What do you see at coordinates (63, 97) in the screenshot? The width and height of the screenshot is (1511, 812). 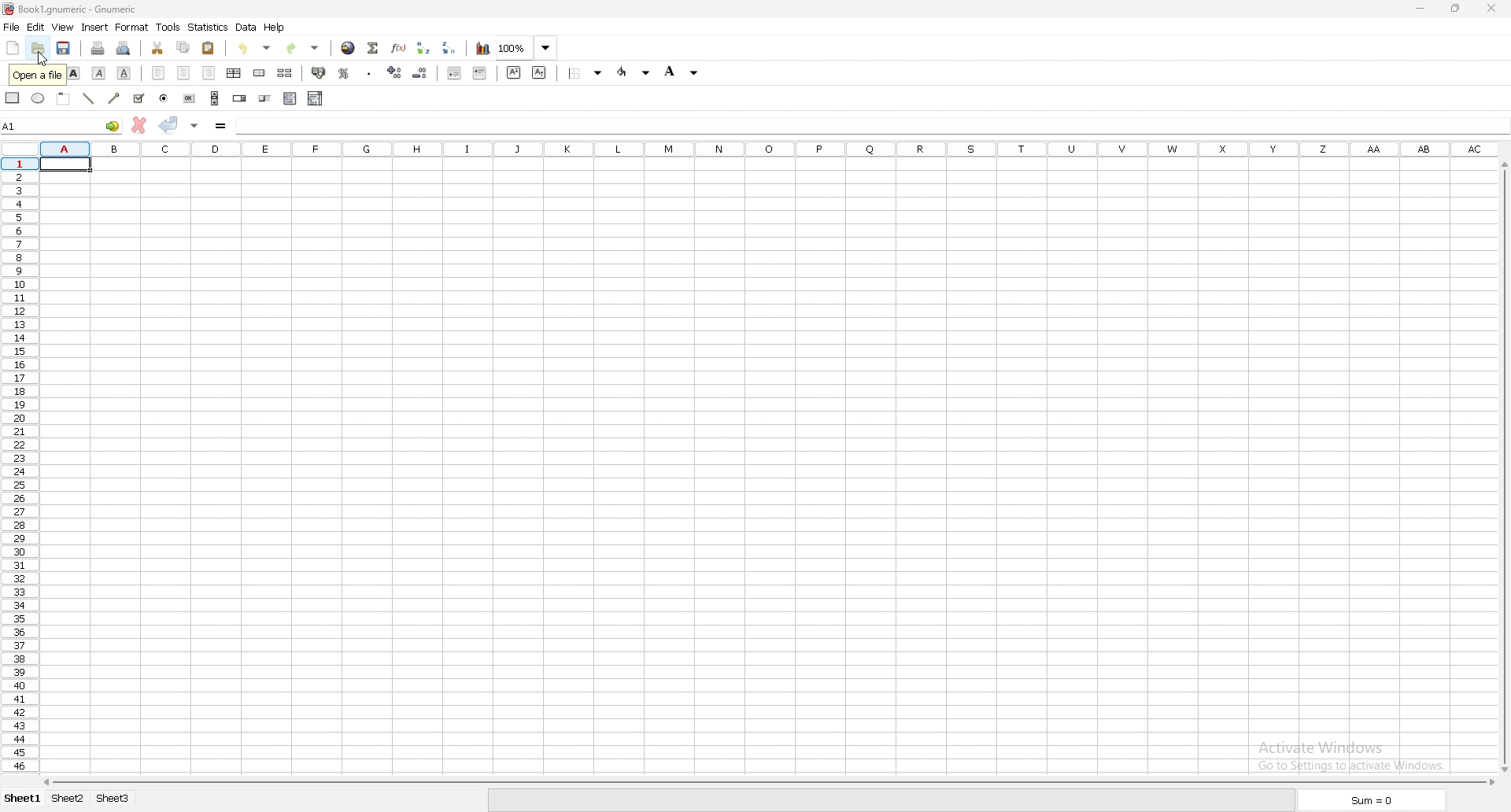 I see `frame` at bounding box center [63, 97].